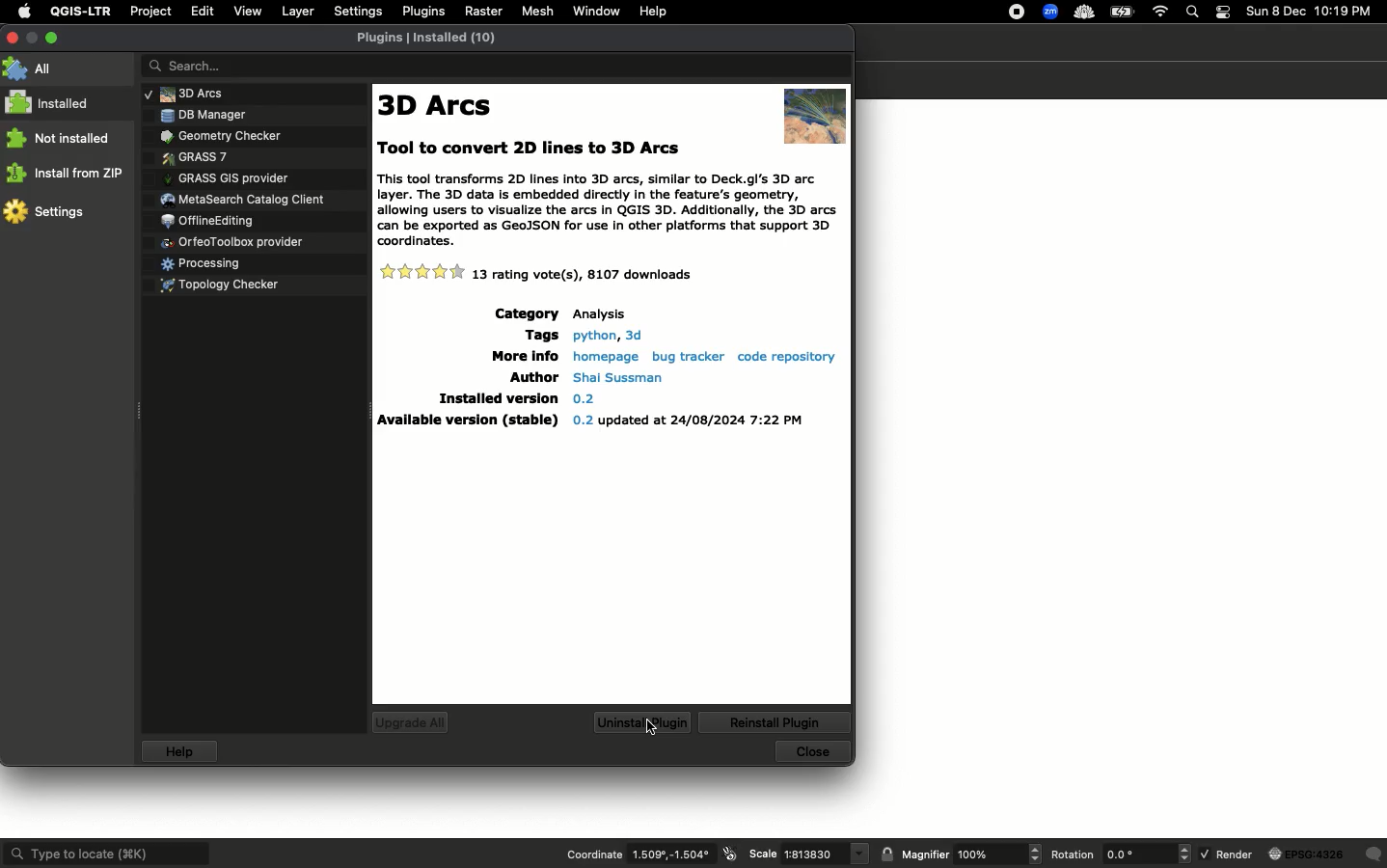 The image size is (1387, 868). I want to click on Plugins, so click(208, 218).